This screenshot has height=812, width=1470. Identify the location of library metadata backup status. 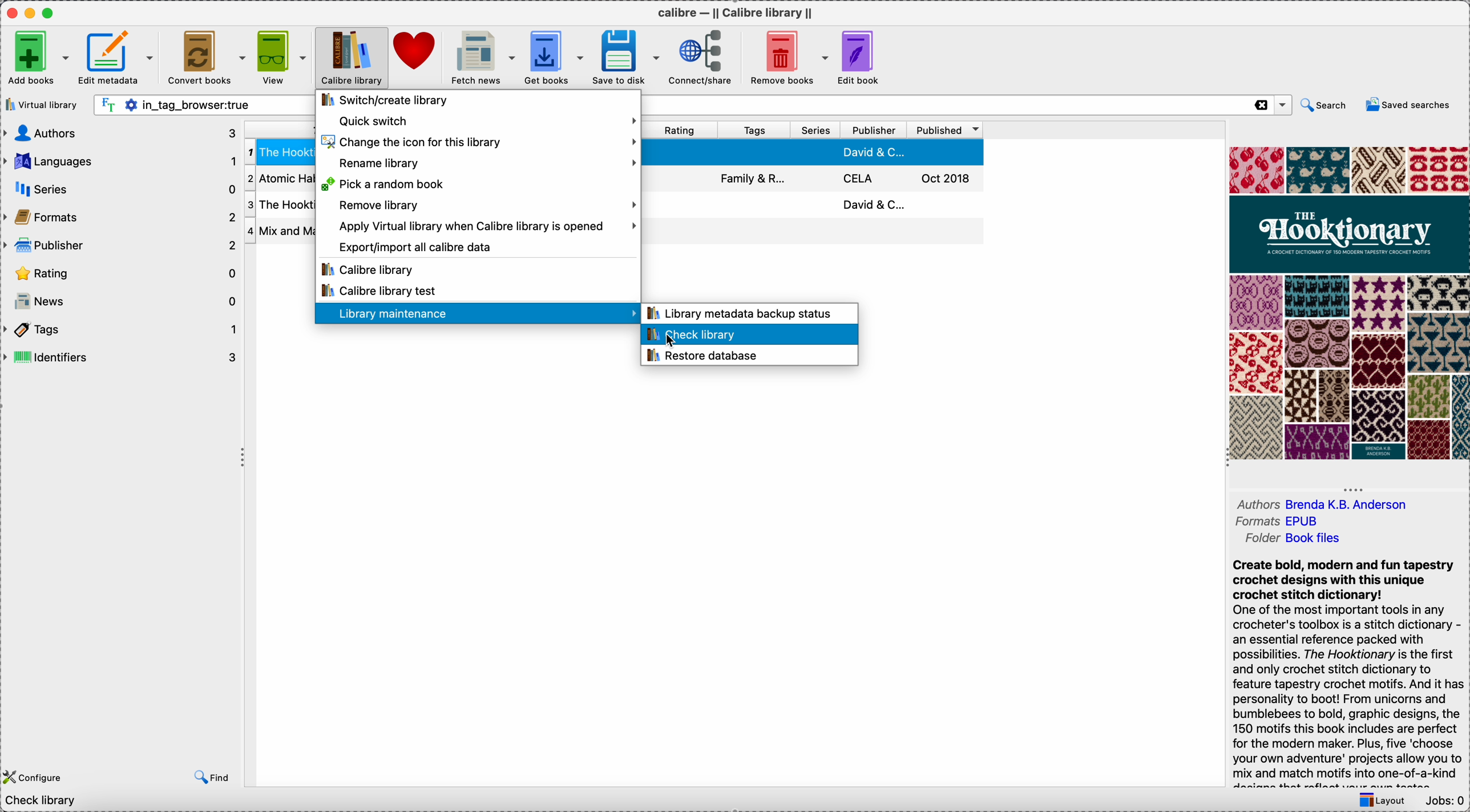
(745, 313).